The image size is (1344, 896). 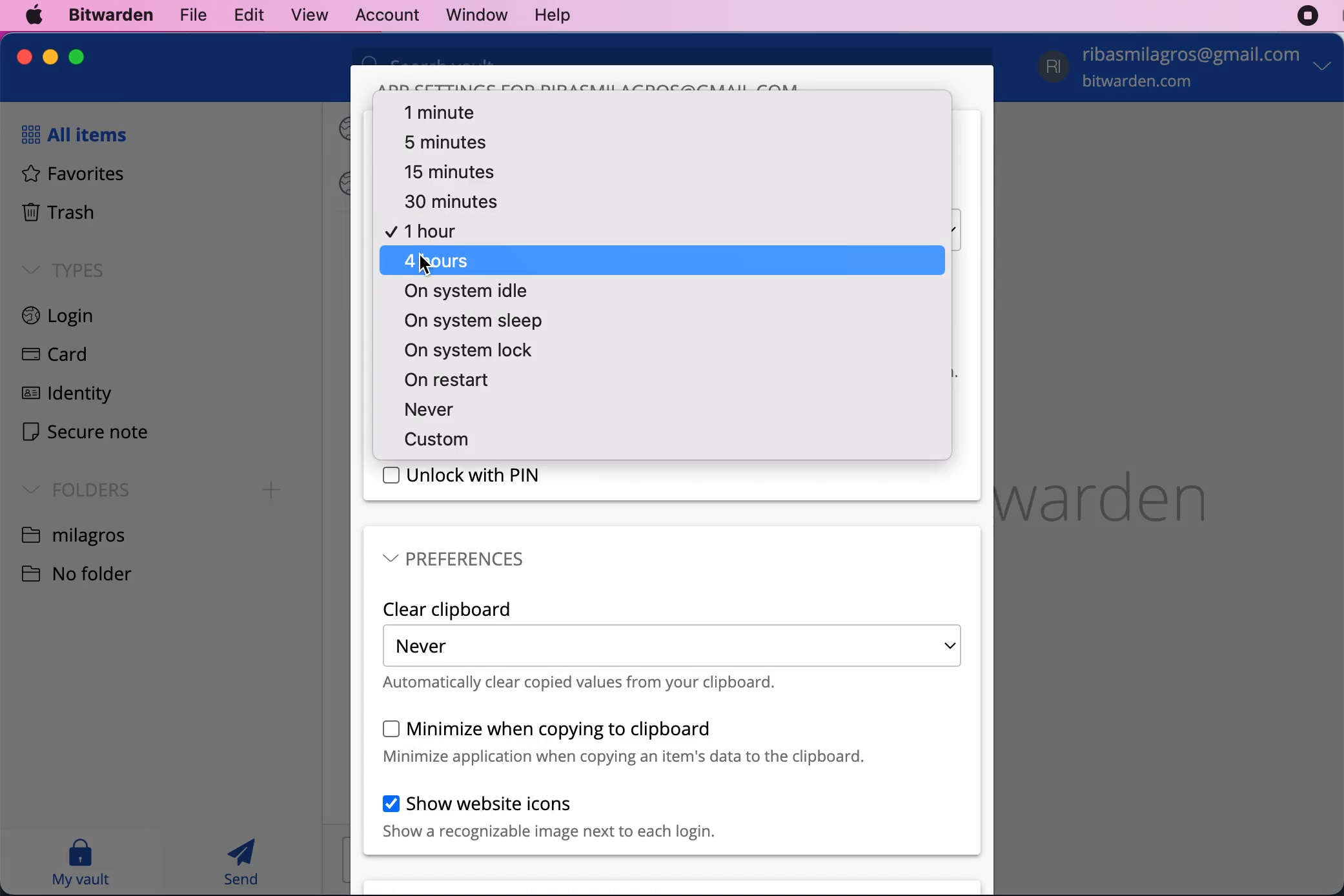 I want to click on folders, so click(x=72, y=488).